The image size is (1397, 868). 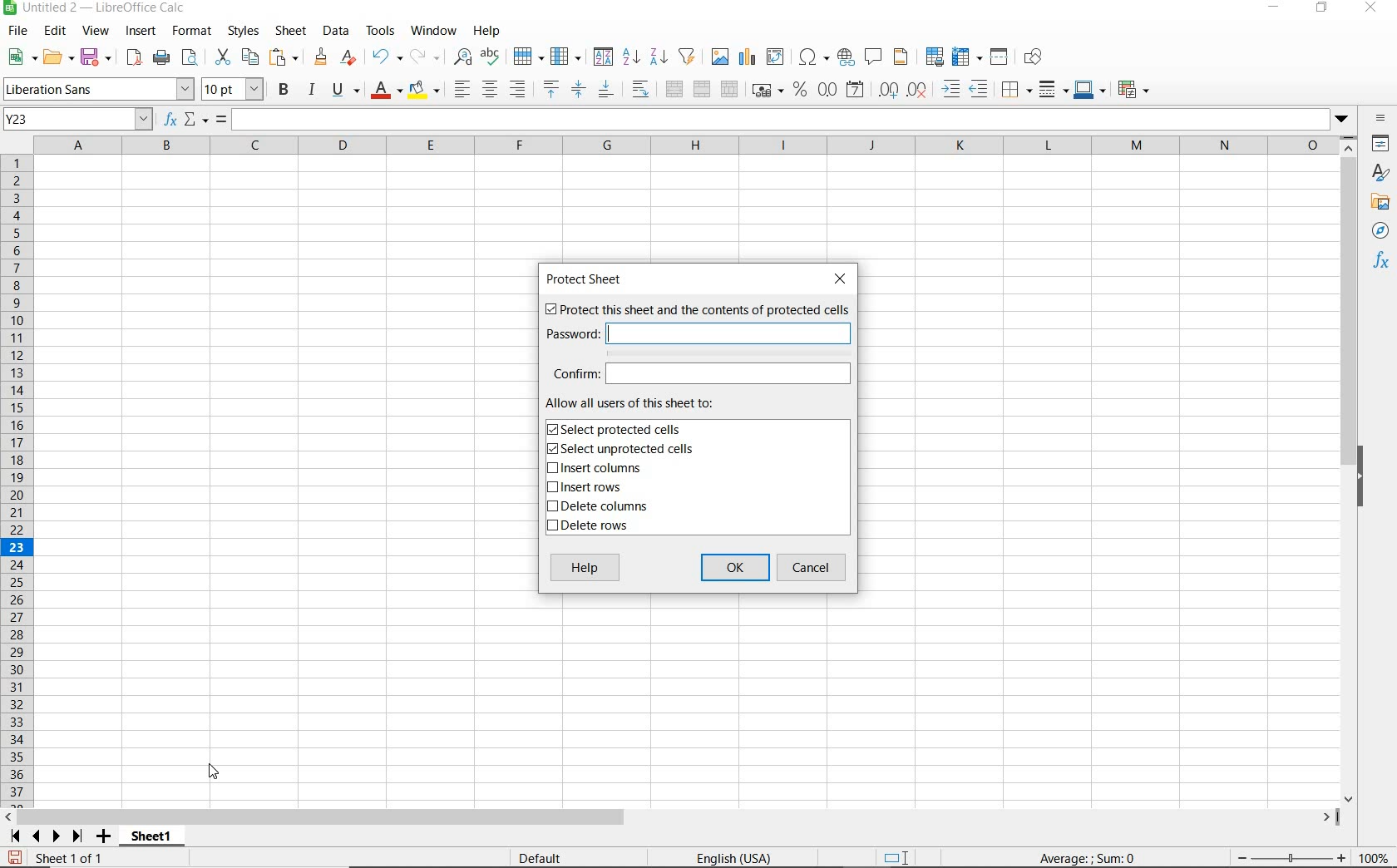 I want to click on ITALIC, so click(x=313, y=91).